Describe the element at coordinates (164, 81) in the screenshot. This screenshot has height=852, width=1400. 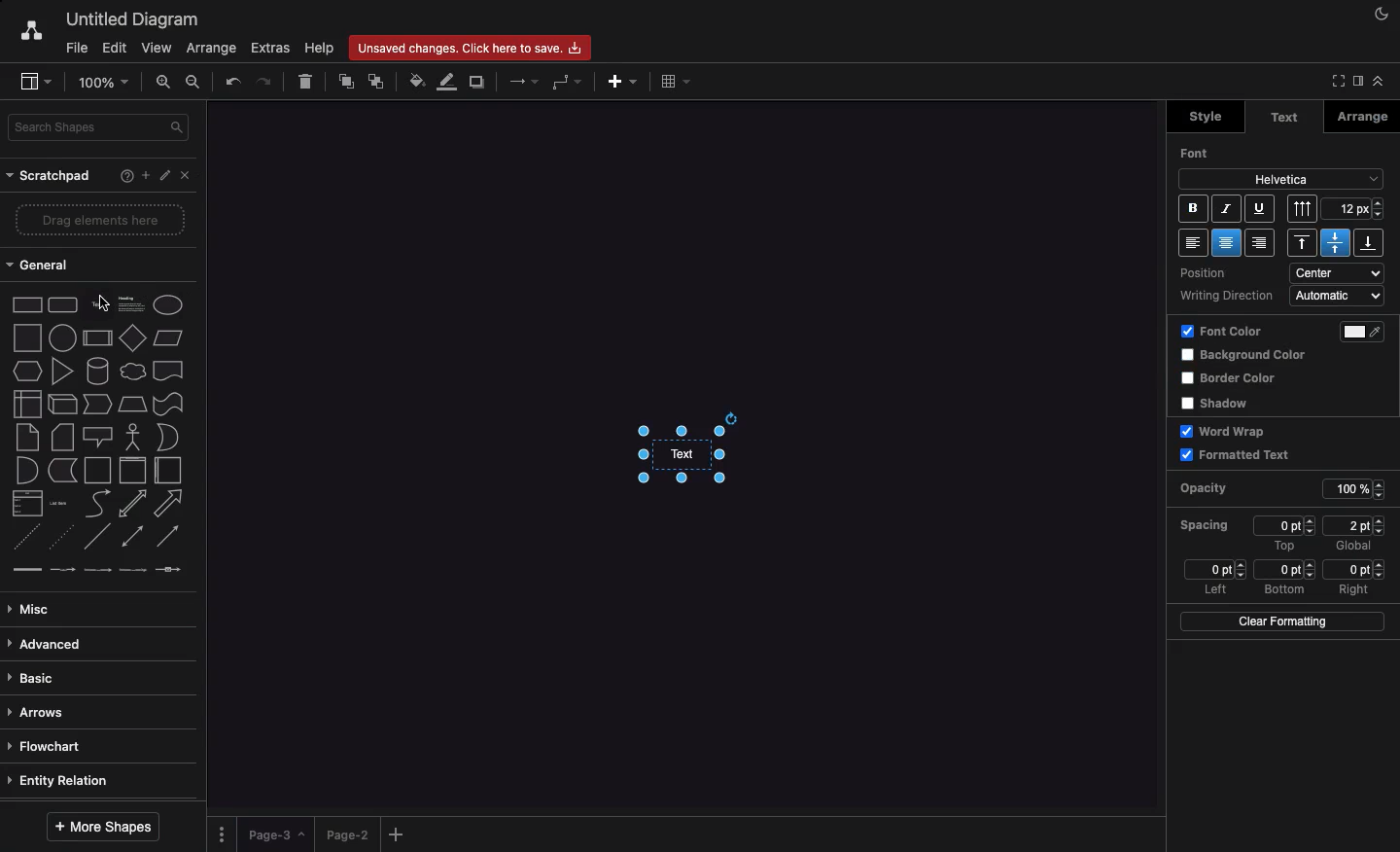
I see `Zoom in` at that location.